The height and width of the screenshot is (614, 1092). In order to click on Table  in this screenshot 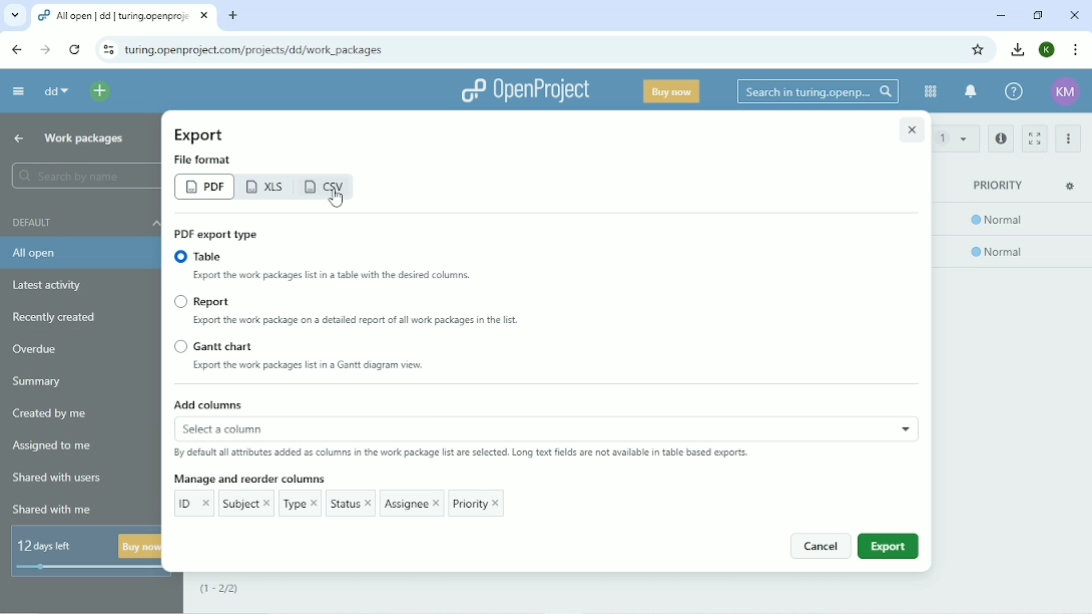, I will do `click(201, 256)`.